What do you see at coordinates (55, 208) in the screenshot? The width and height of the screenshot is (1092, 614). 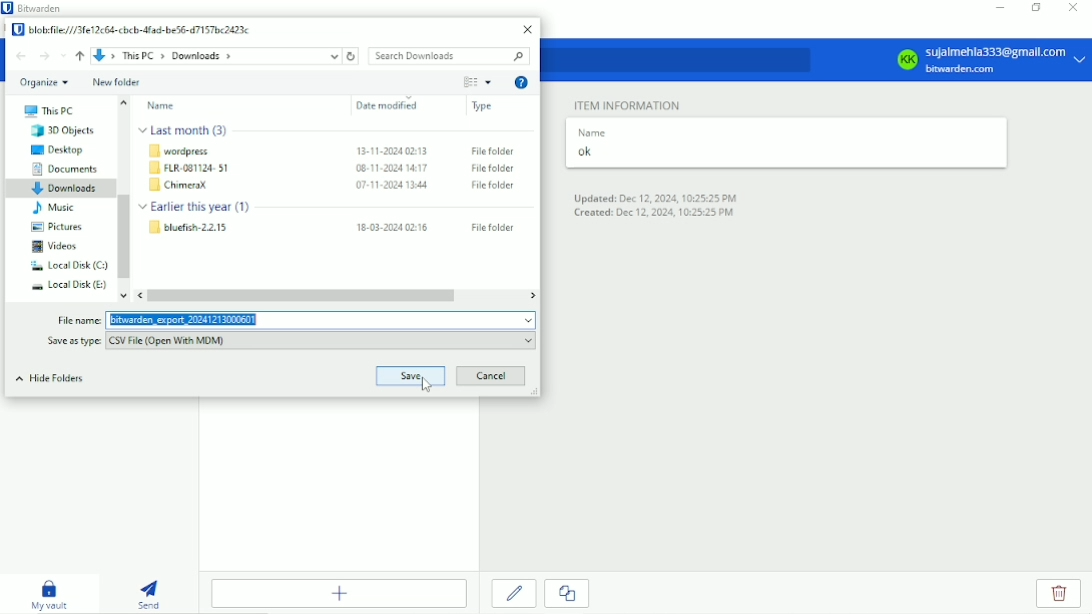 I see `Music` at bounding box center [55, 208].